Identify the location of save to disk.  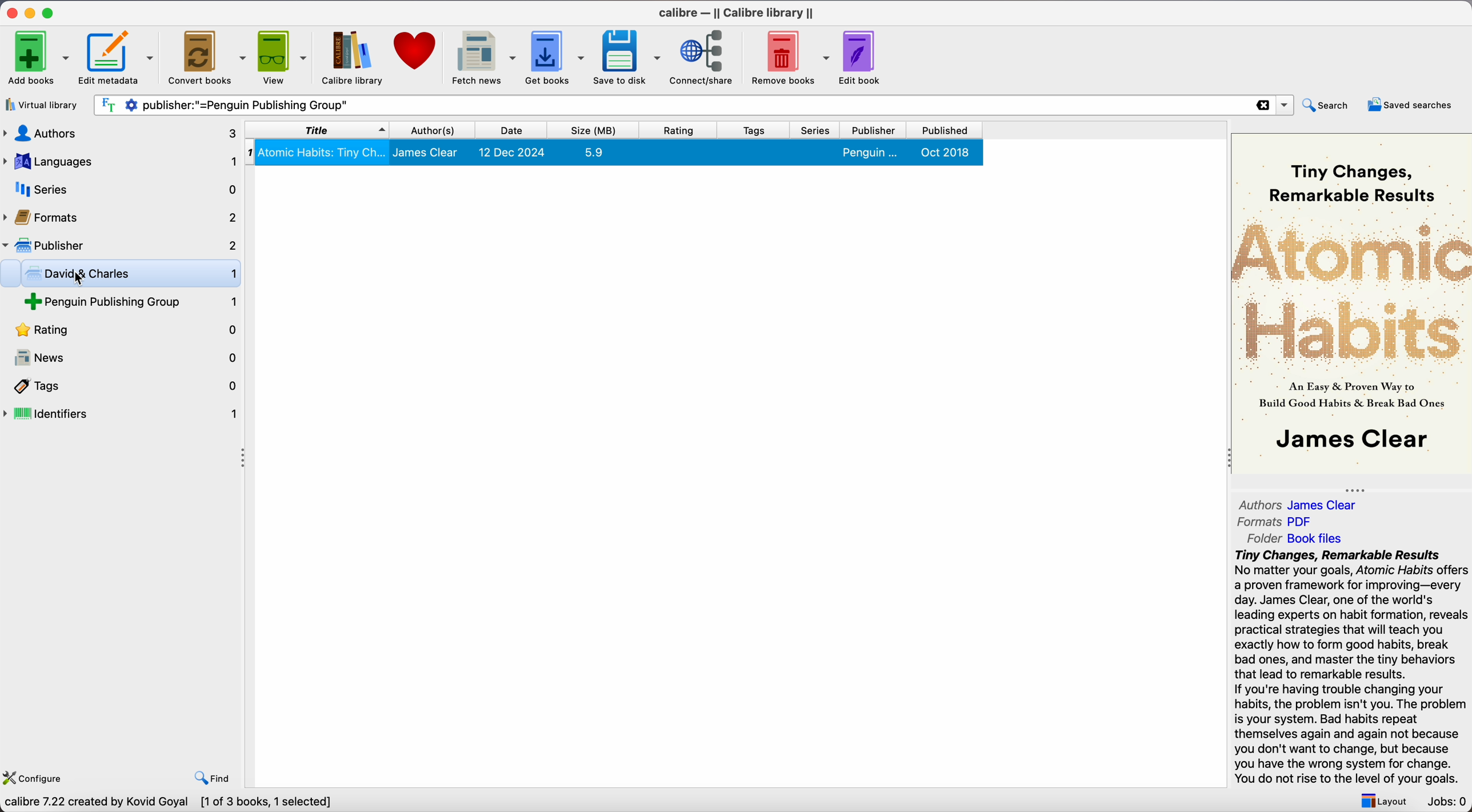
(628, 57).